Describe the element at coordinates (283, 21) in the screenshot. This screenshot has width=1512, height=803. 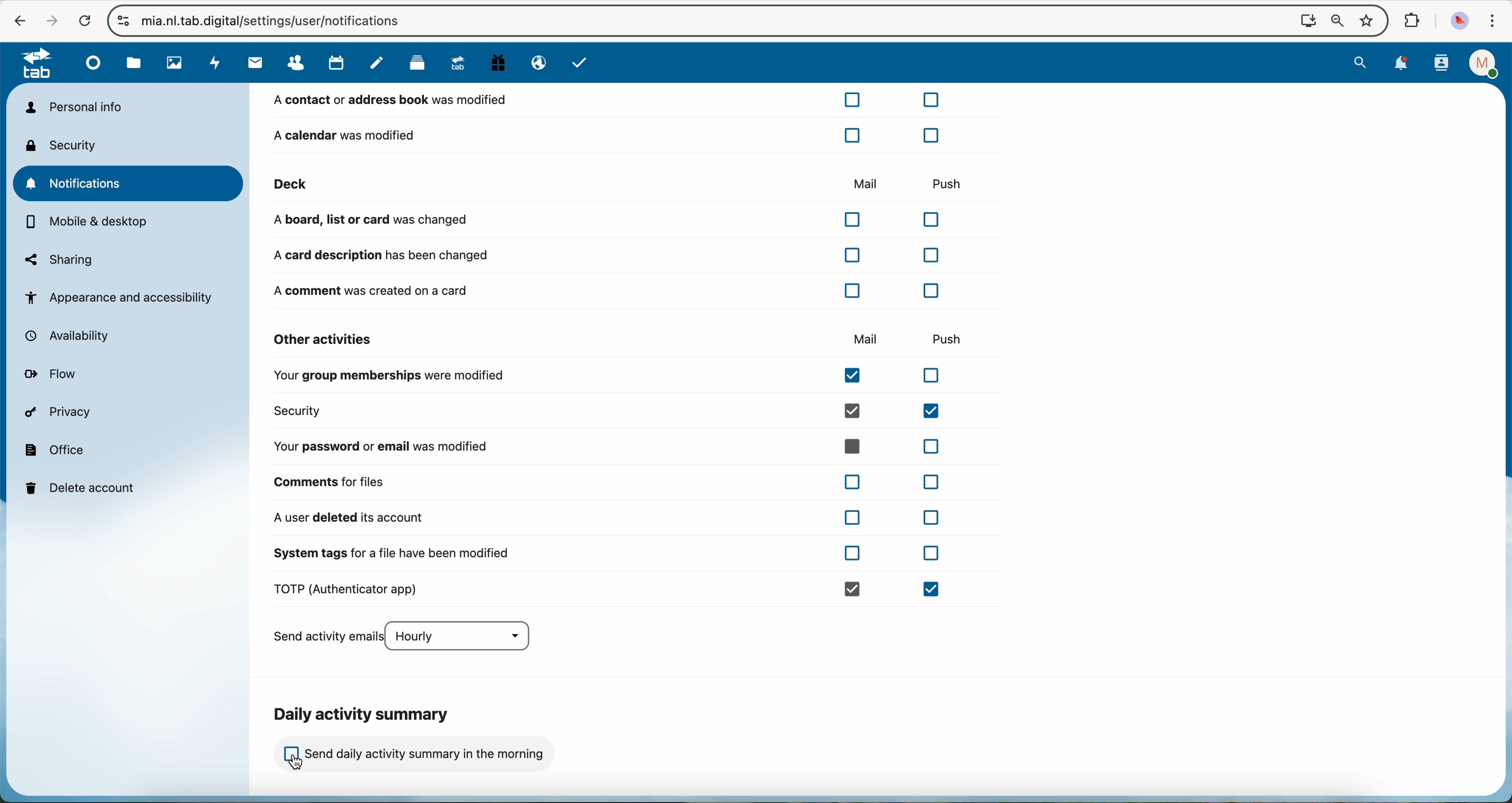
I see `url` at that location.